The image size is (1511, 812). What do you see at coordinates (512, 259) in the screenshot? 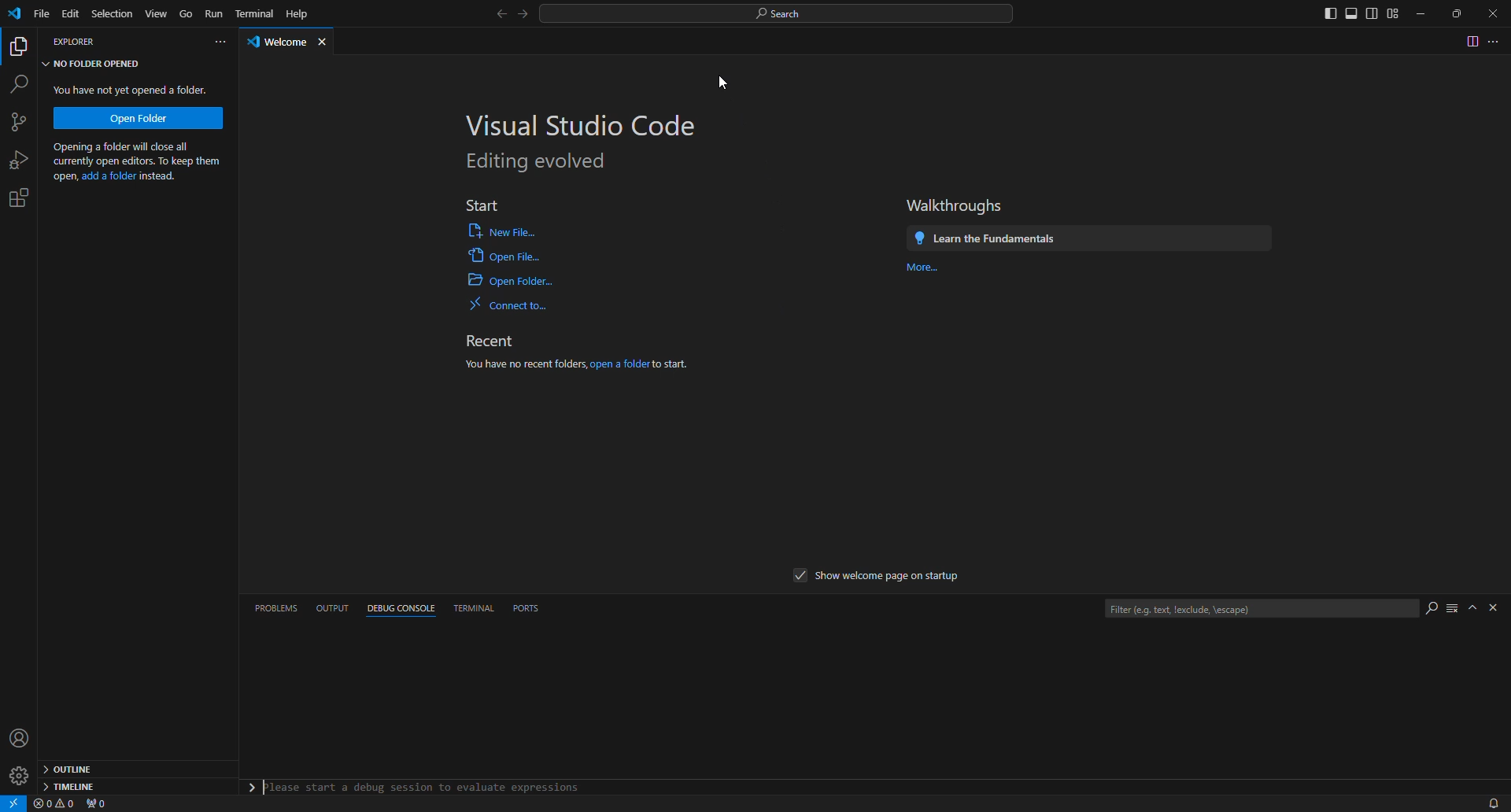
I see `Open File` at bounding box center [512, 259].